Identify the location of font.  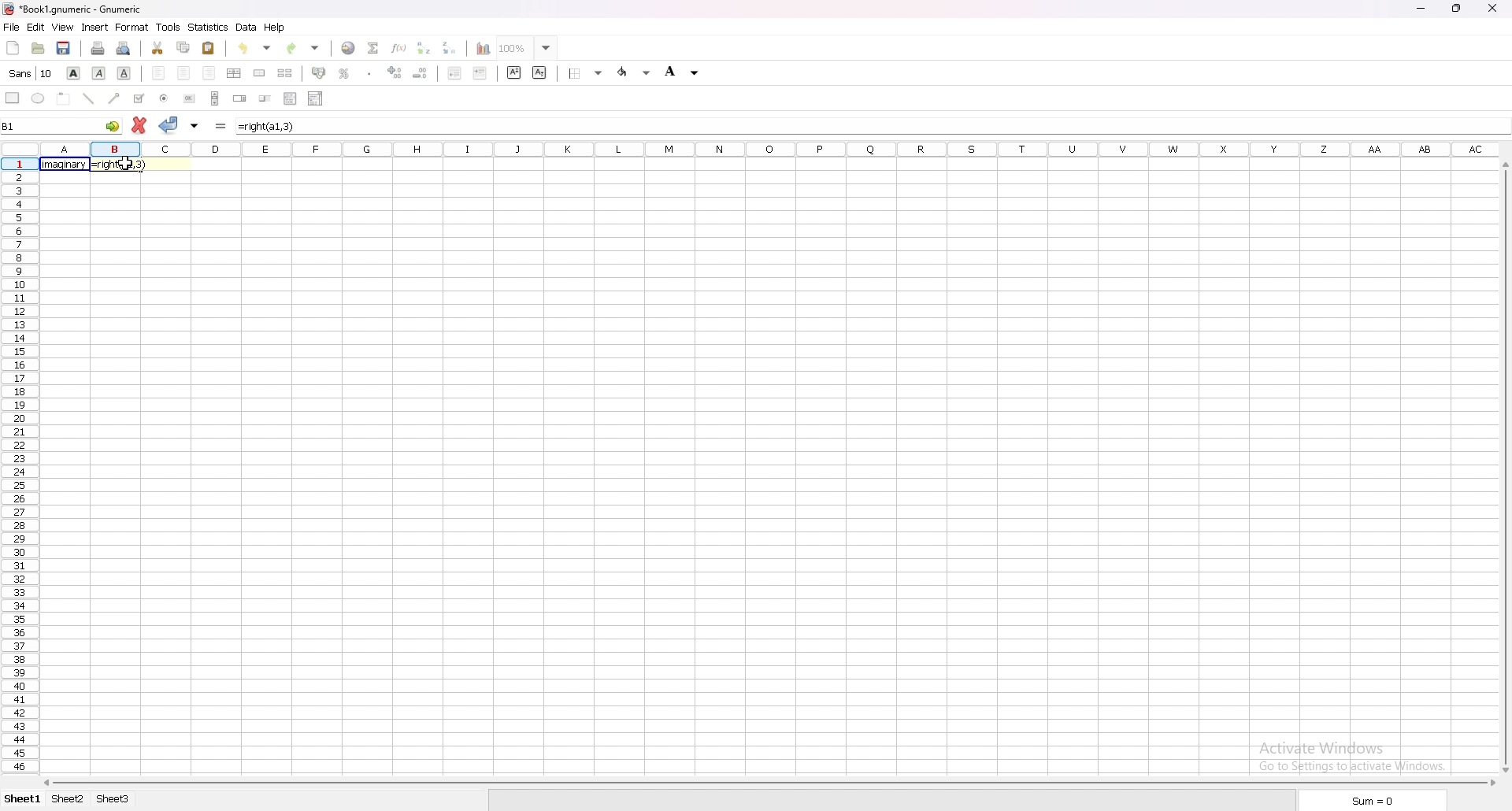
(31, 73).